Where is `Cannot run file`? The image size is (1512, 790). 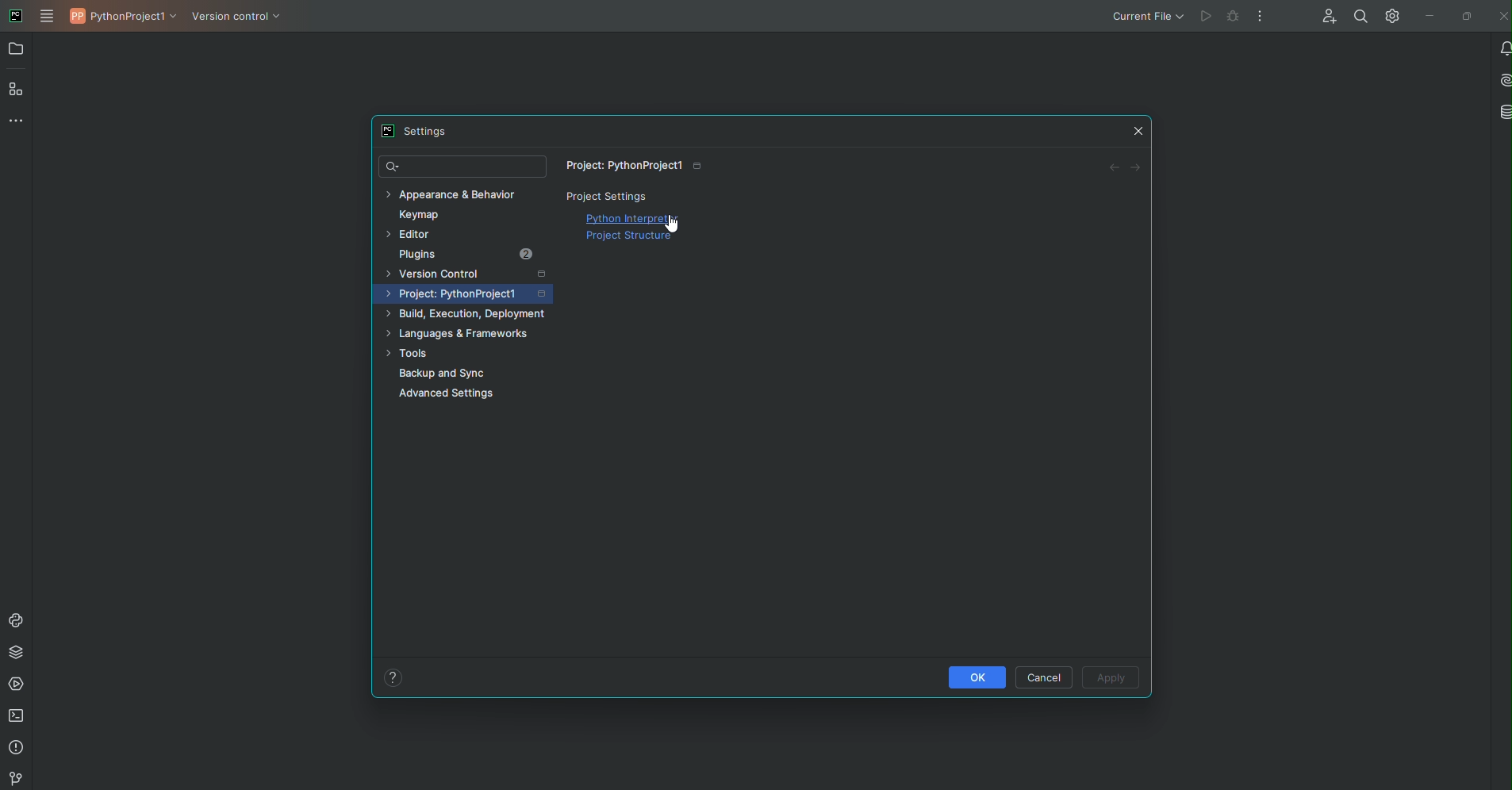 Cannot run file is located at coordinates (1215, 17).